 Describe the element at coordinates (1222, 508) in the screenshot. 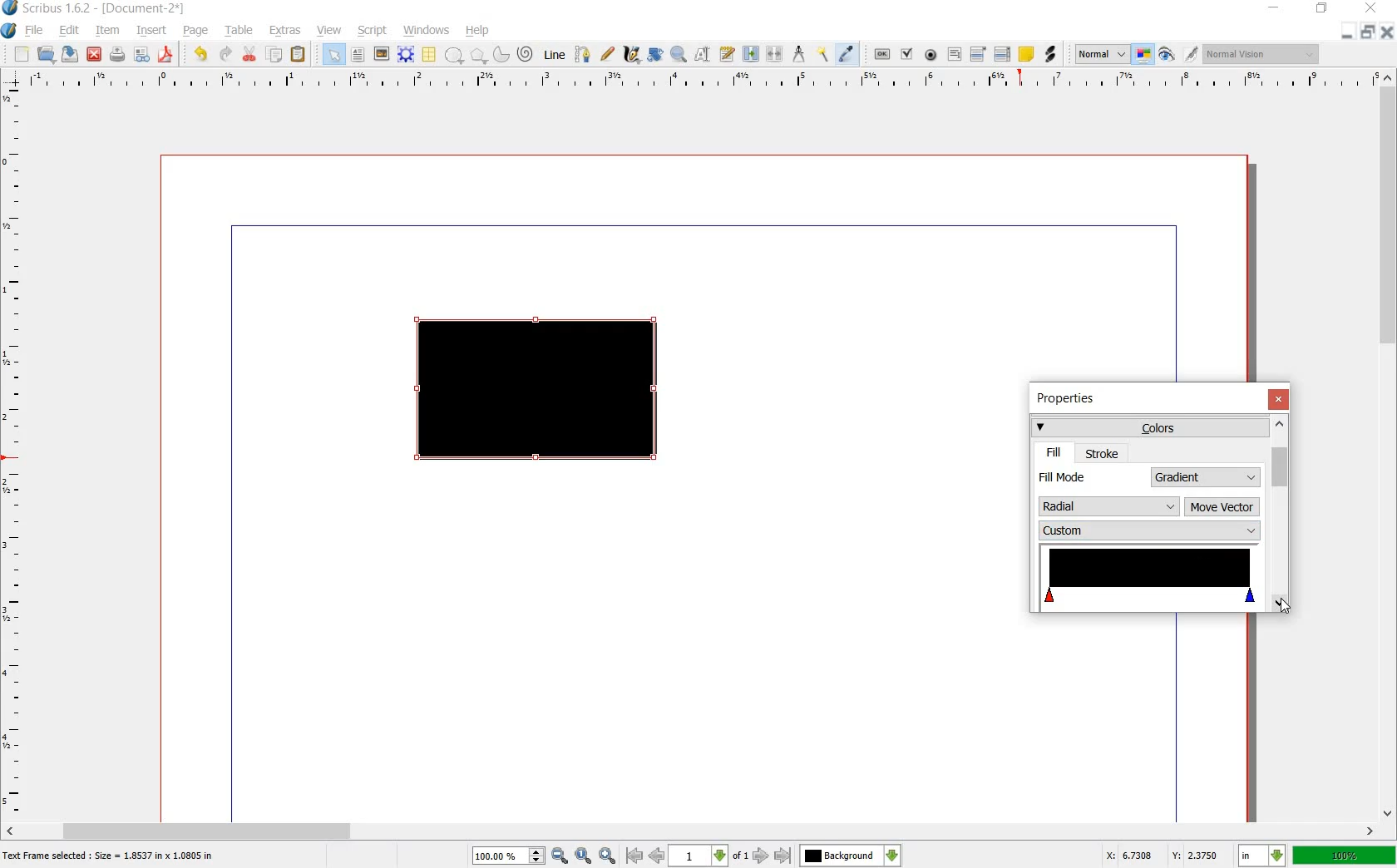

I see `move vector` at that location.